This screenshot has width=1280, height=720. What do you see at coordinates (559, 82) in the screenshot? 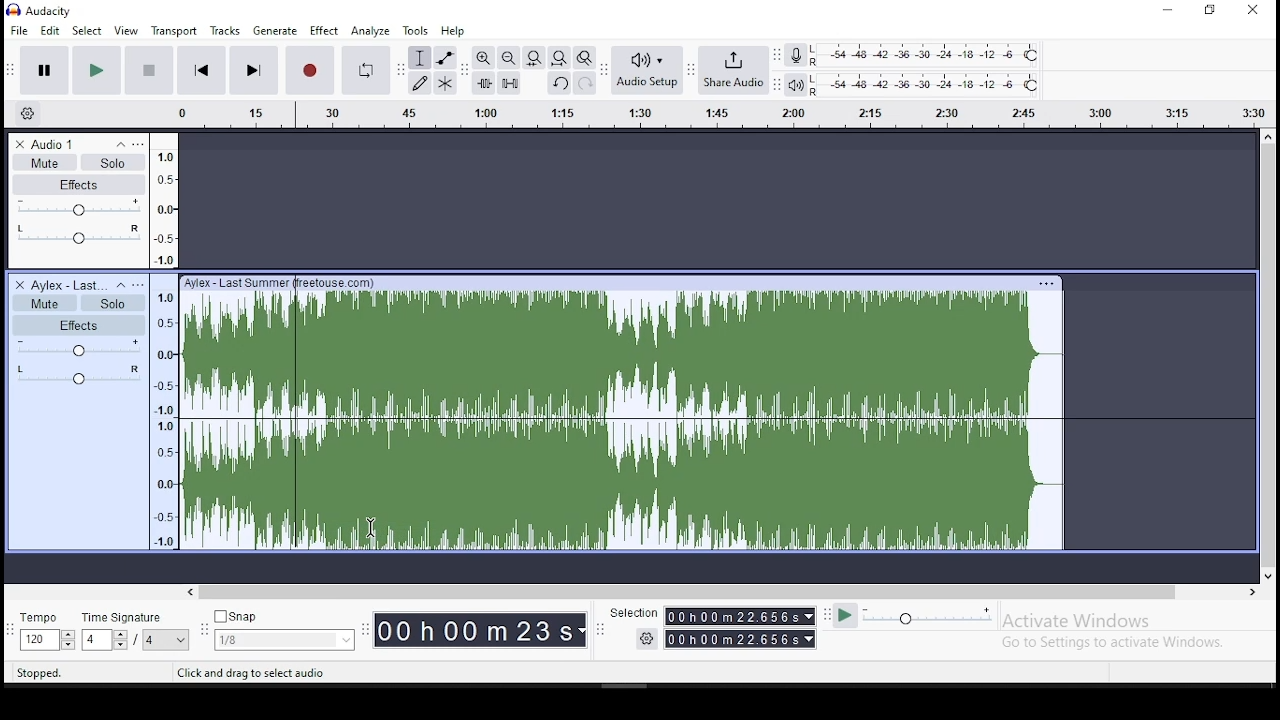
I see `undo` at bounding box center [559, 82].